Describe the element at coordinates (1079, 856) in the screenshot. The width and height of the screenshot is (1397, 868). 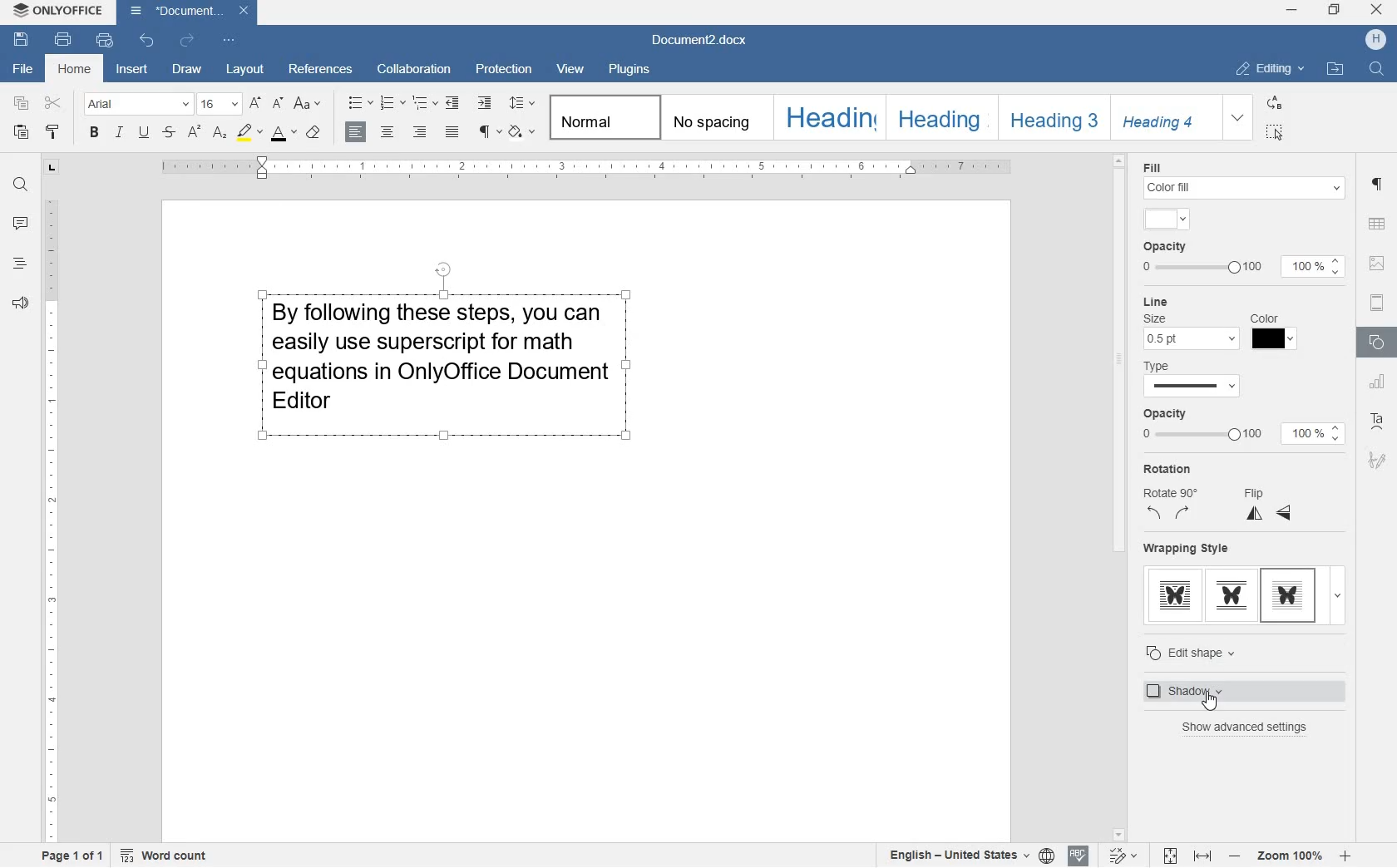
I see `spell checking` at that location.